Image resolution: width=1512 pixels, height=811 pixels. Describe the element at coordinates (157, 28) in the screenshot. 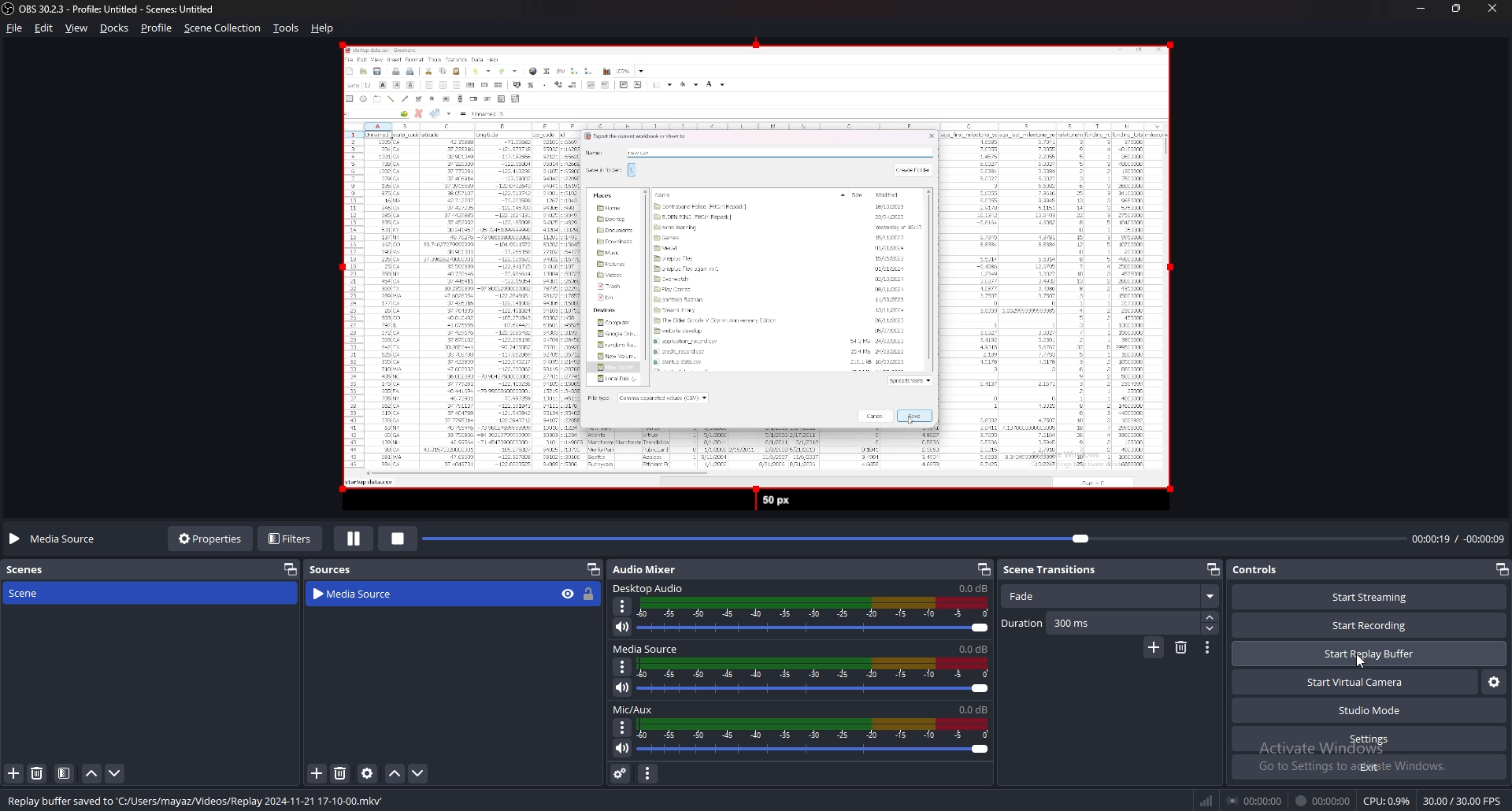

I see `profile` at that location.